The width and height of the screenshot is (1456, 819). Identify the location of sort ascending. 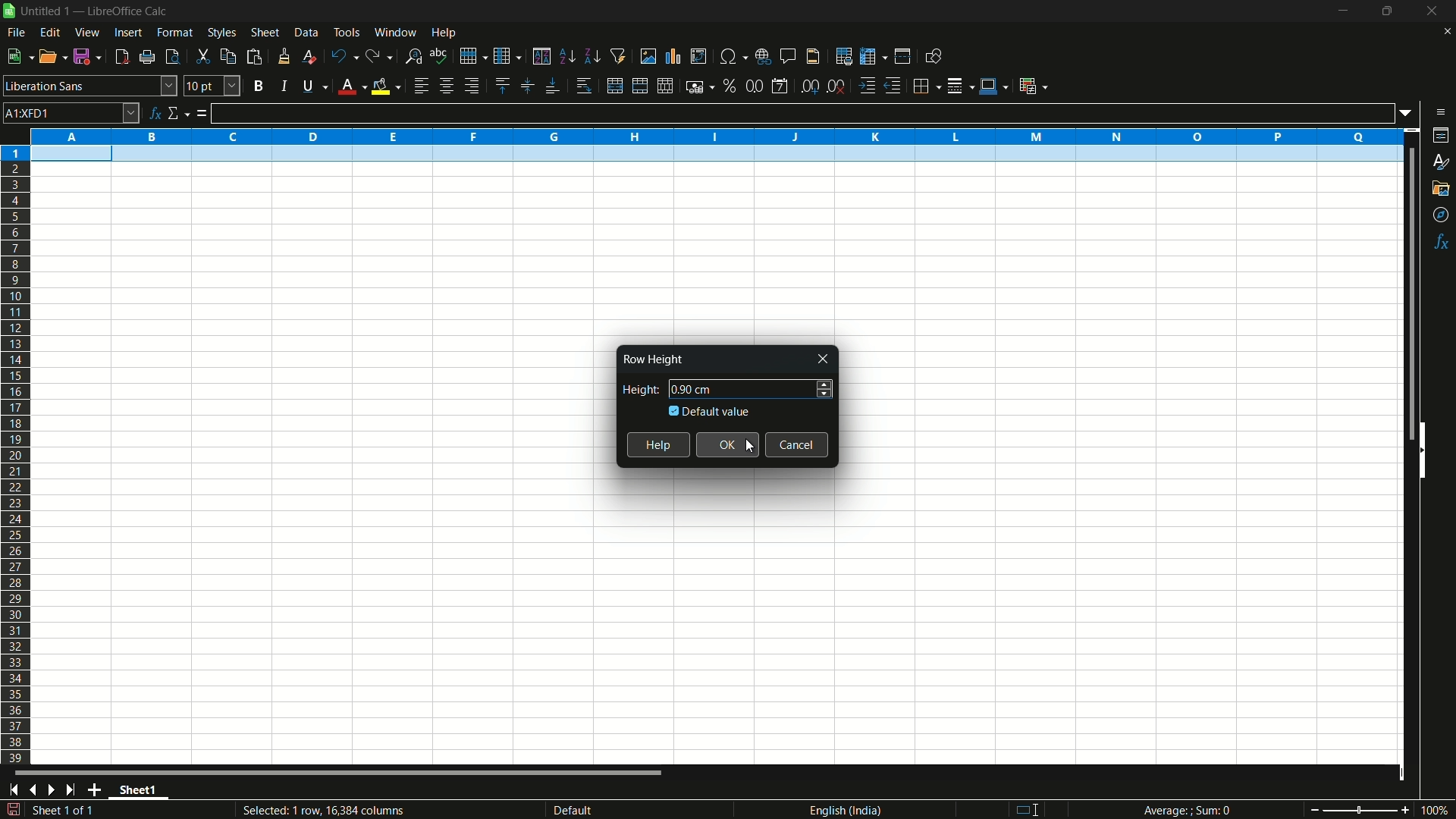
(566, 57).